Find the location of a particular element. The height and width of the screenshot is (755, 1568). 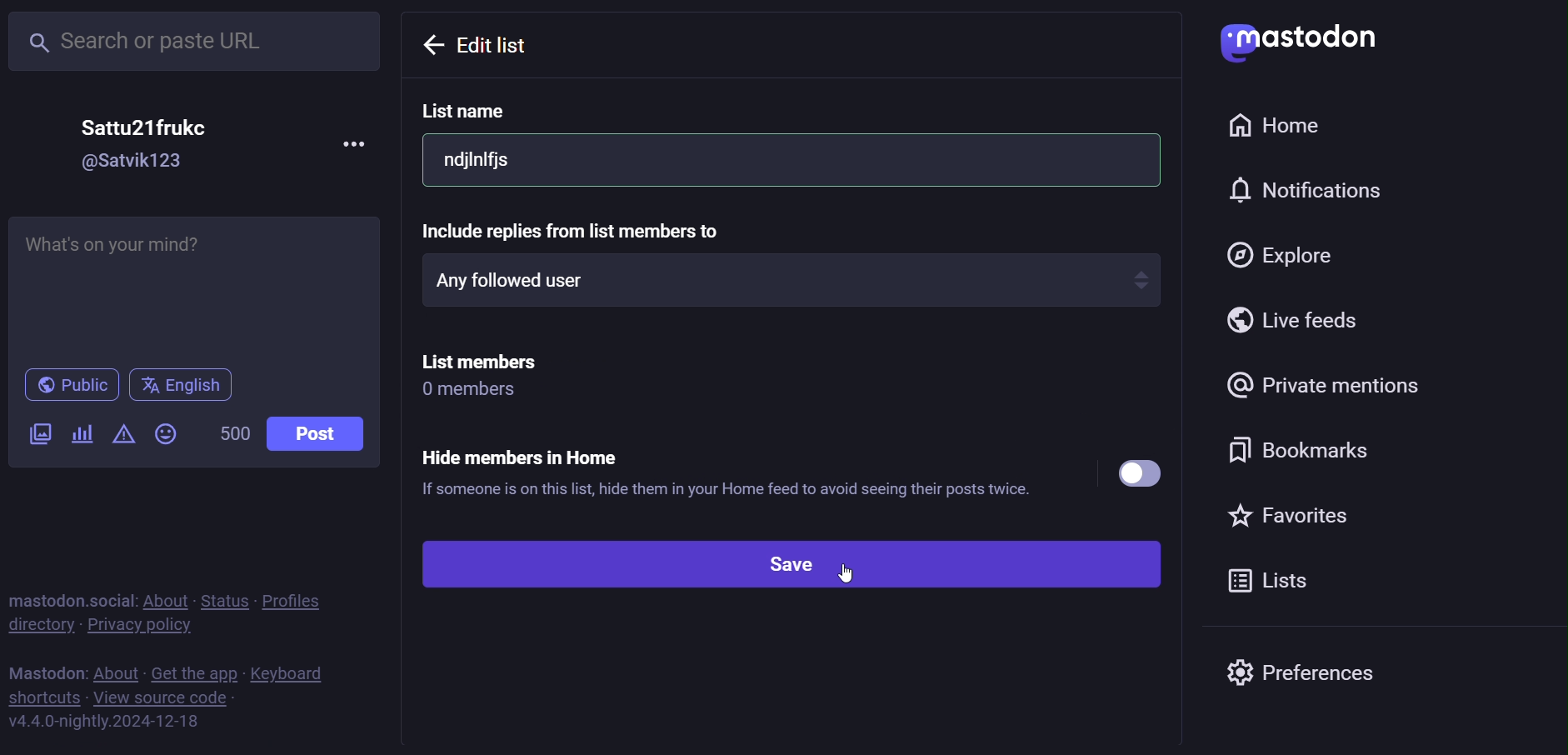

status is located at coordinates (224, 598).